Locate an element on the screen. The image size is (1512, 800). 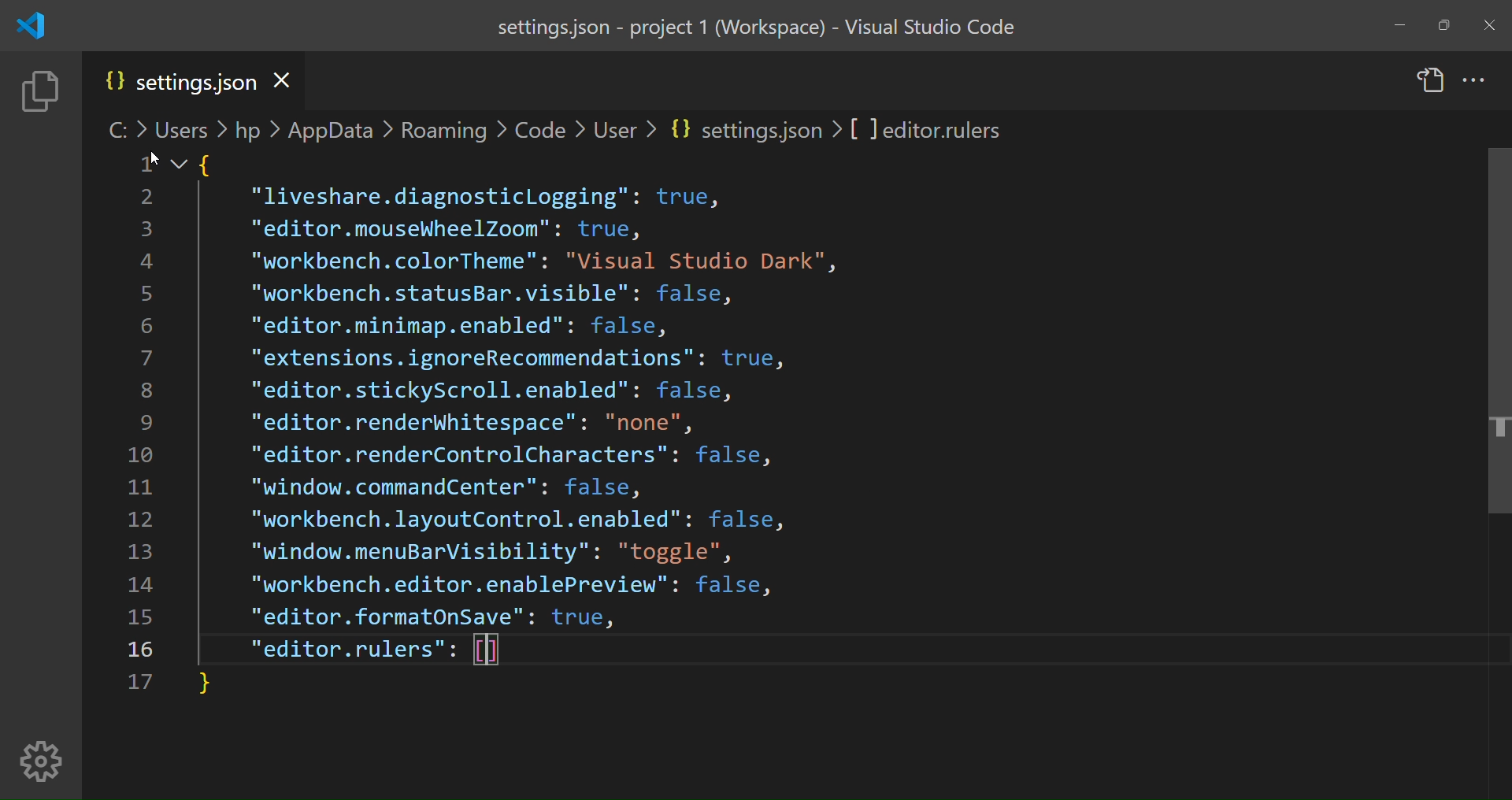
title is located at coordinates (759, 28).